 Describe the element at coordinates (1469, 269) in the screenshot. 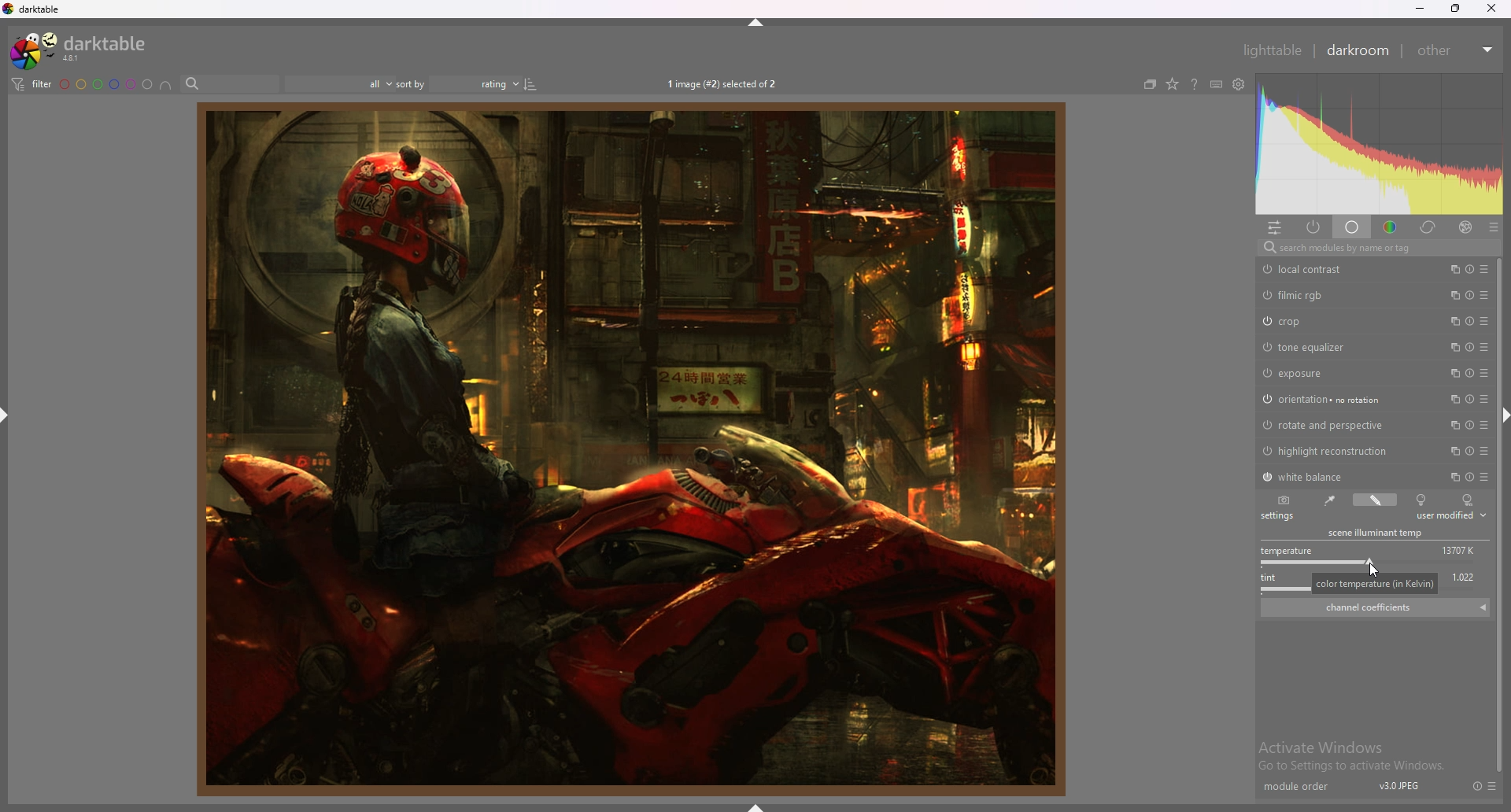

I see `reset` at that location.